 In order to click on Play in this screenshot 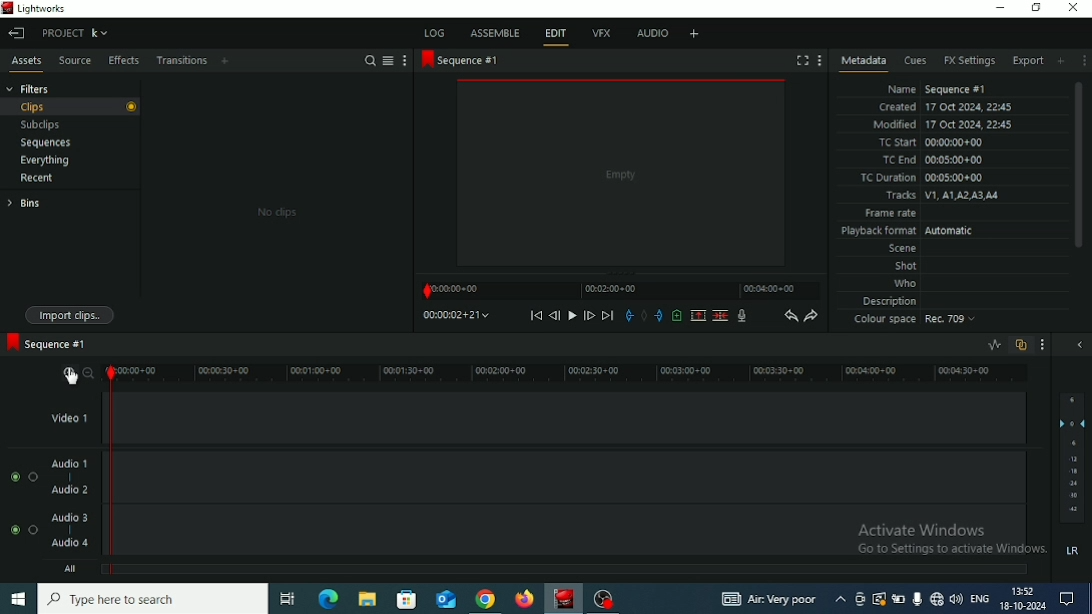, I will do `click(571, 315)`.